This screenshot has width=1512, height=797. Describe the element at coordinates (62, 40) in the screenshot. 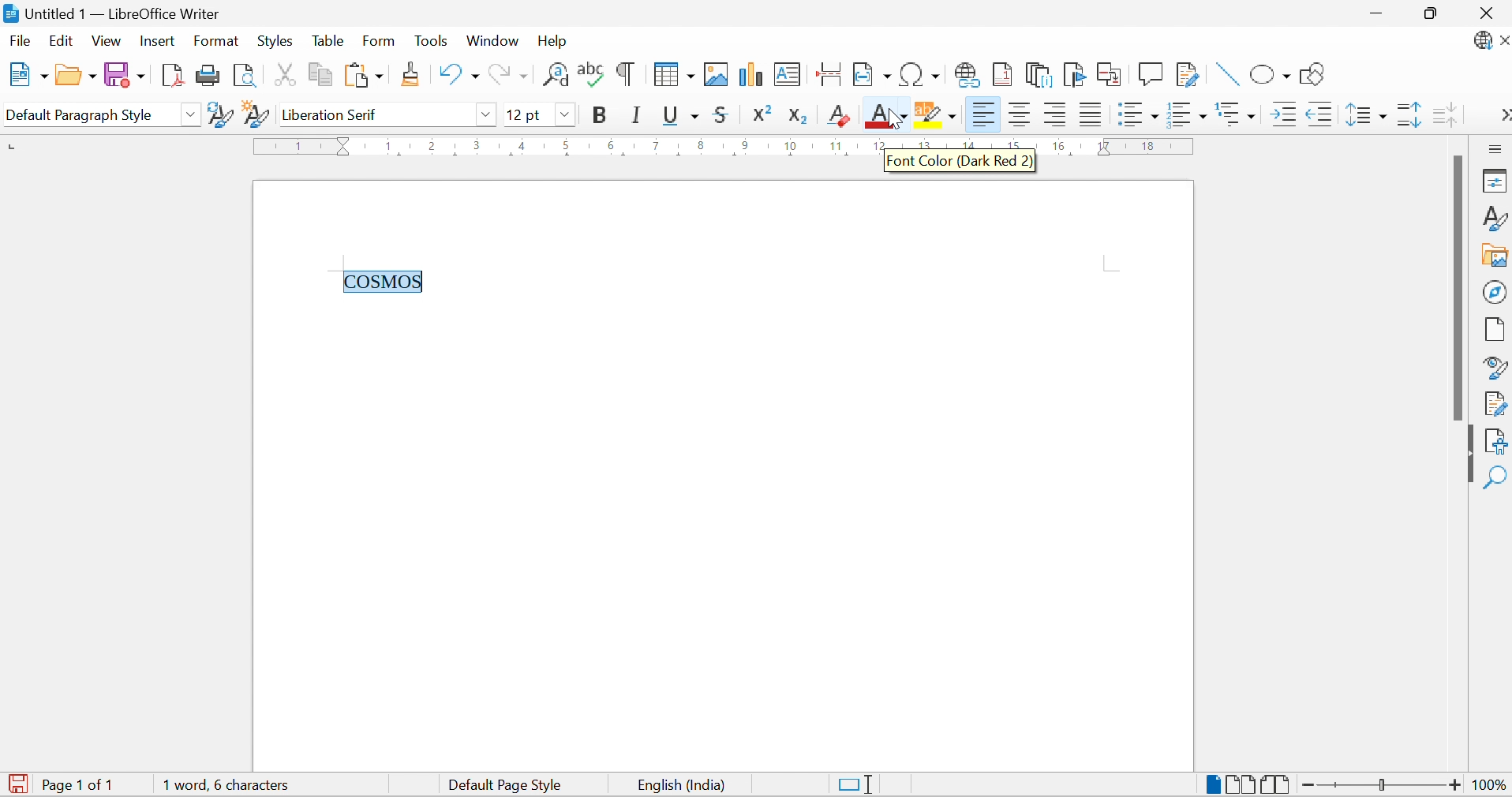

I see `Edit` at that location.